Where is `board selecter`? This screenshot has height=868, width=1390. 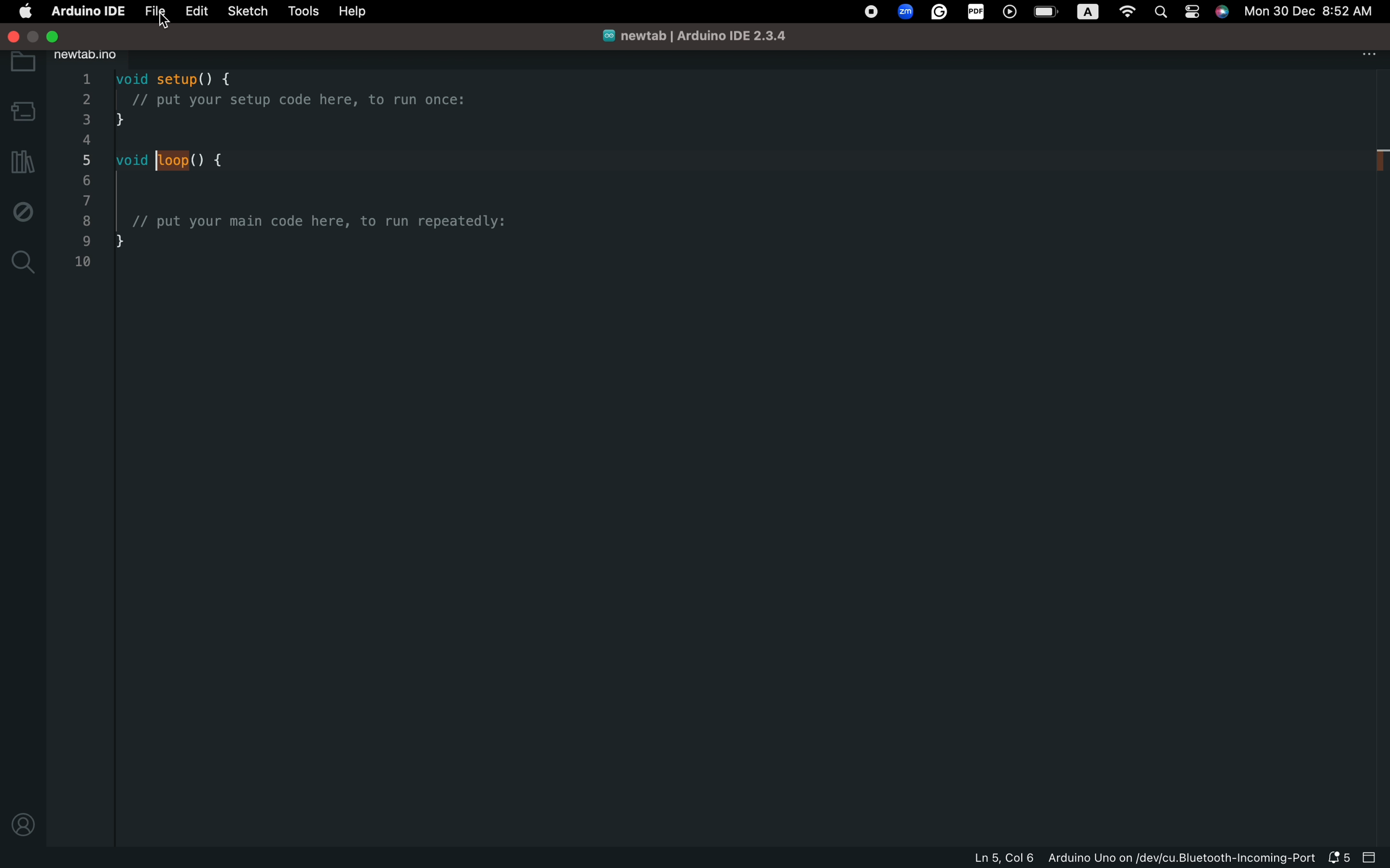
board selecter is located at coordinates (21, 113).